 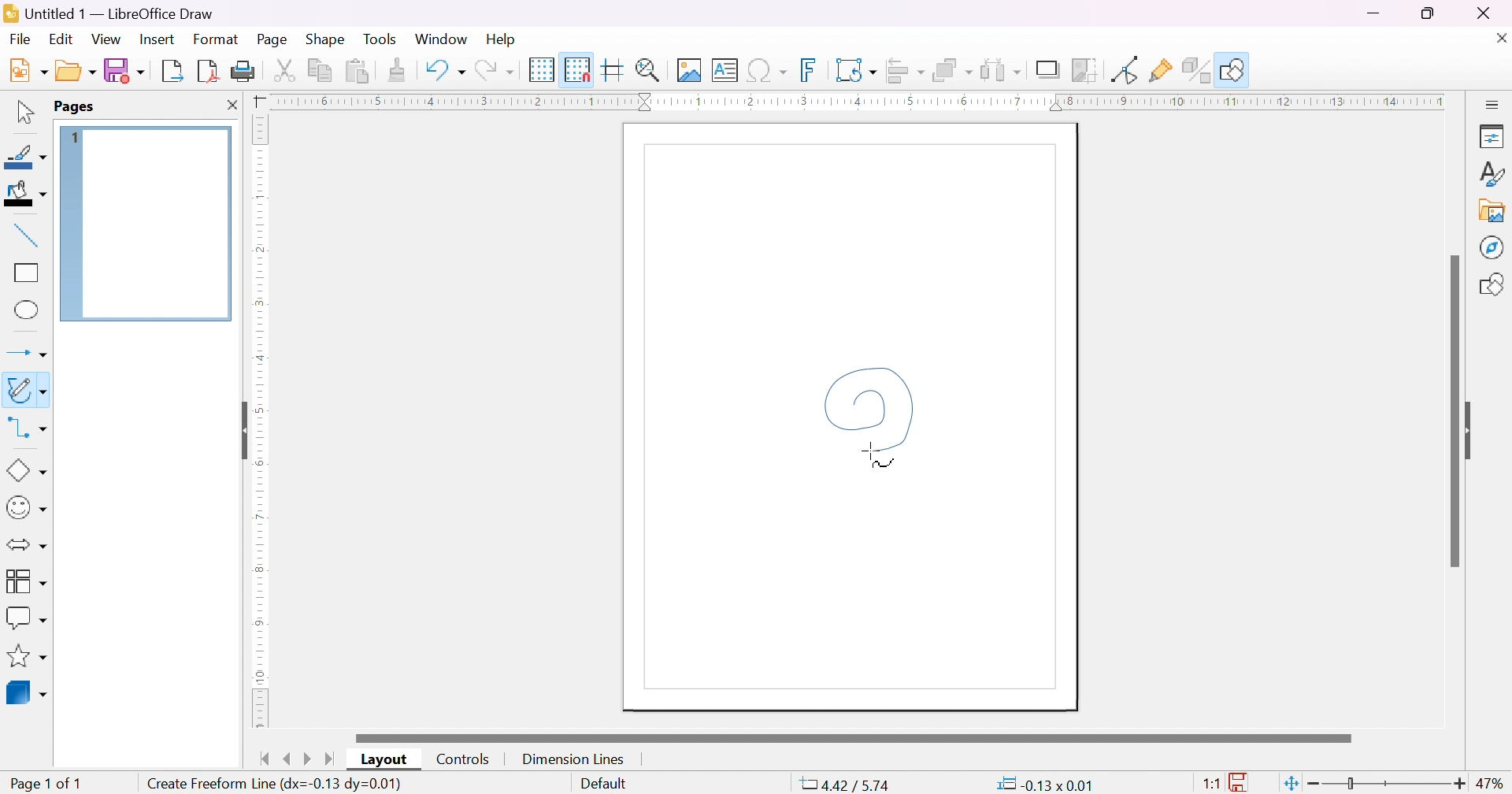 What do you see at coordinates (275, 781) in the screenshot?
I see `Create Freeform Line(dx=0.13 dy=0.01)` at bounding box center [275, 781].